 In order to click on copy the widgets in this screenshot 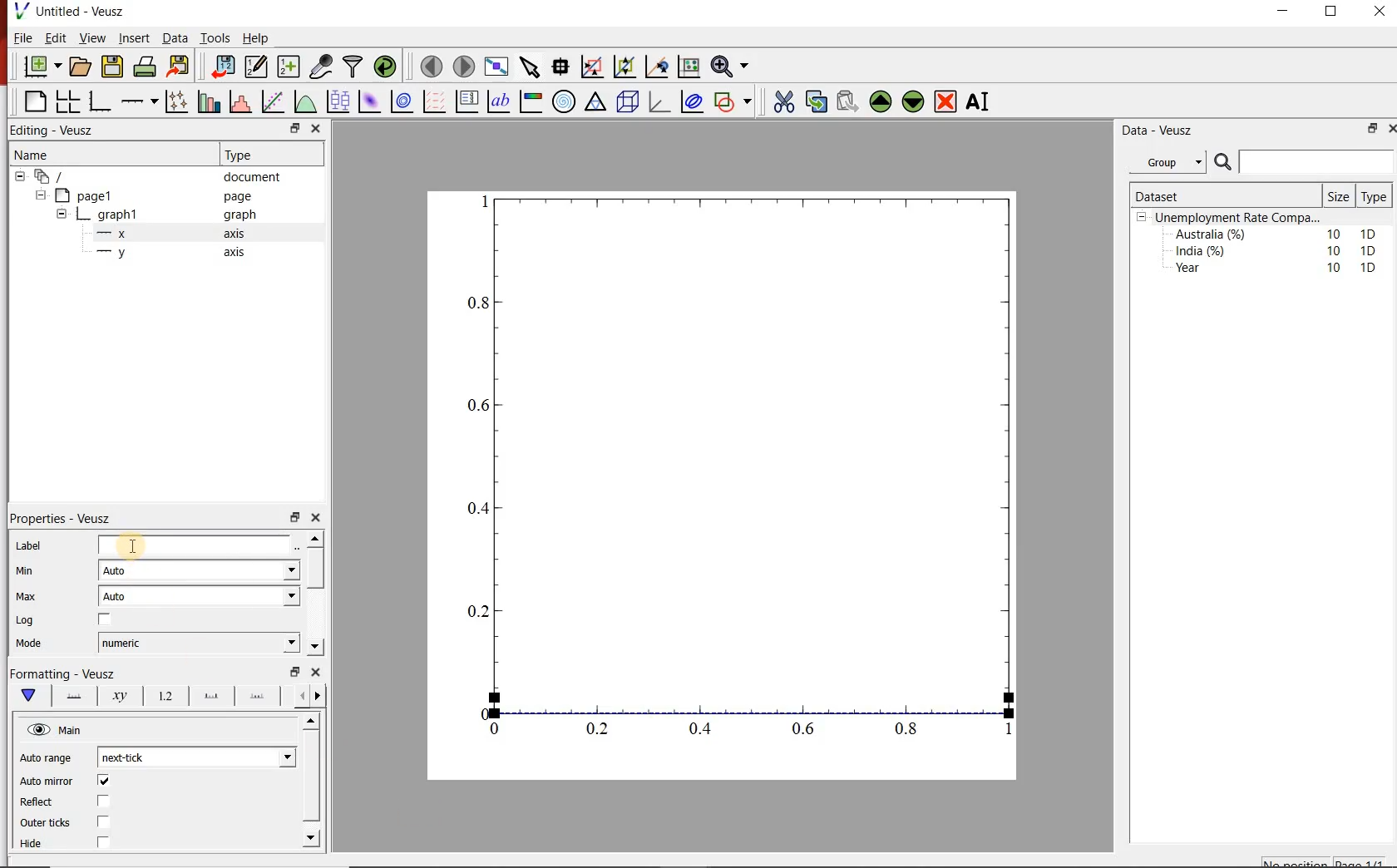, I will do `click(815, 101)`.